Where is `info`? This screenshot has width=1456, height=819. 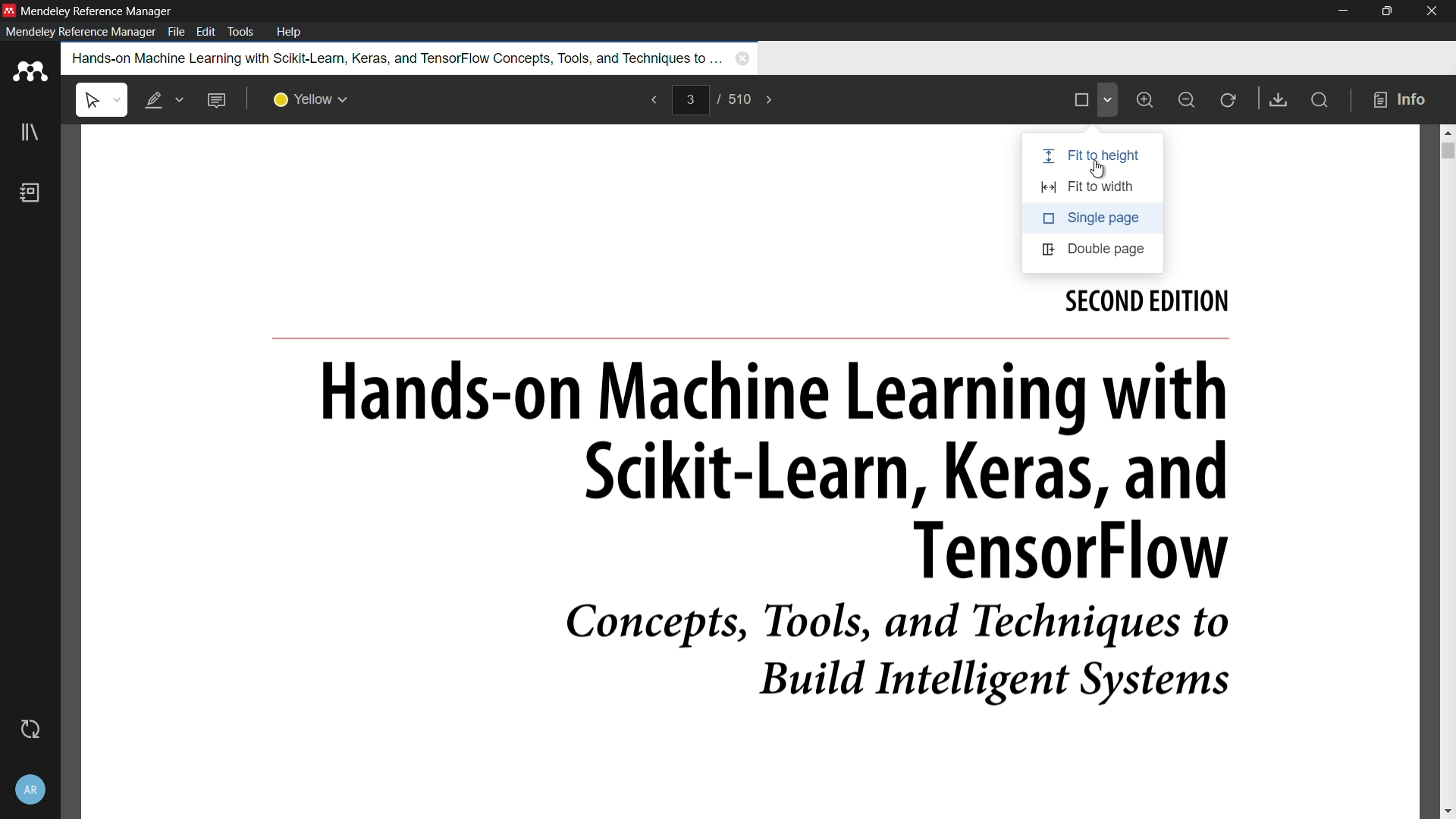
info is located at coordinates (1401, 101).